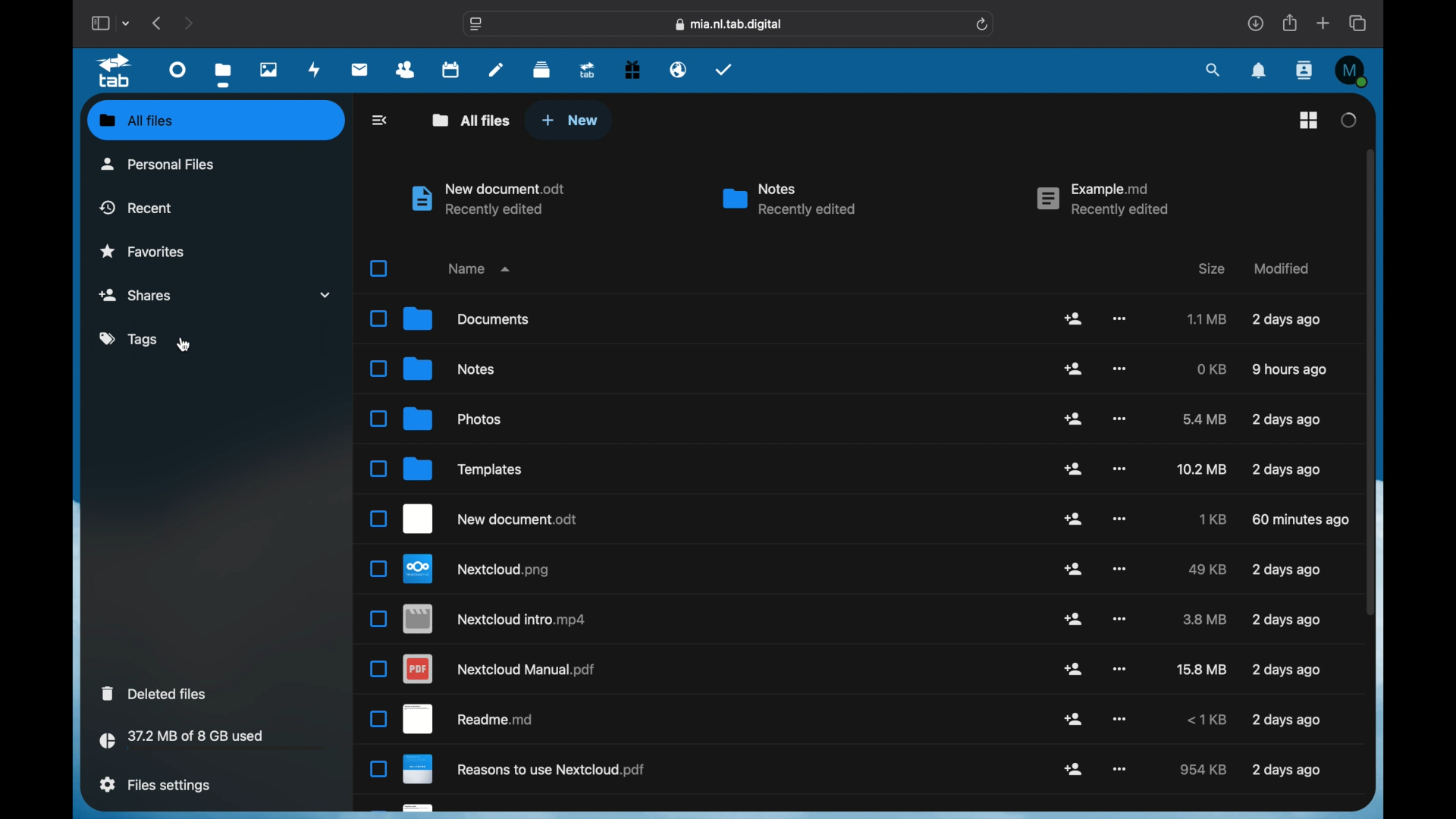  I want to click on more options, so click(1118, 668).